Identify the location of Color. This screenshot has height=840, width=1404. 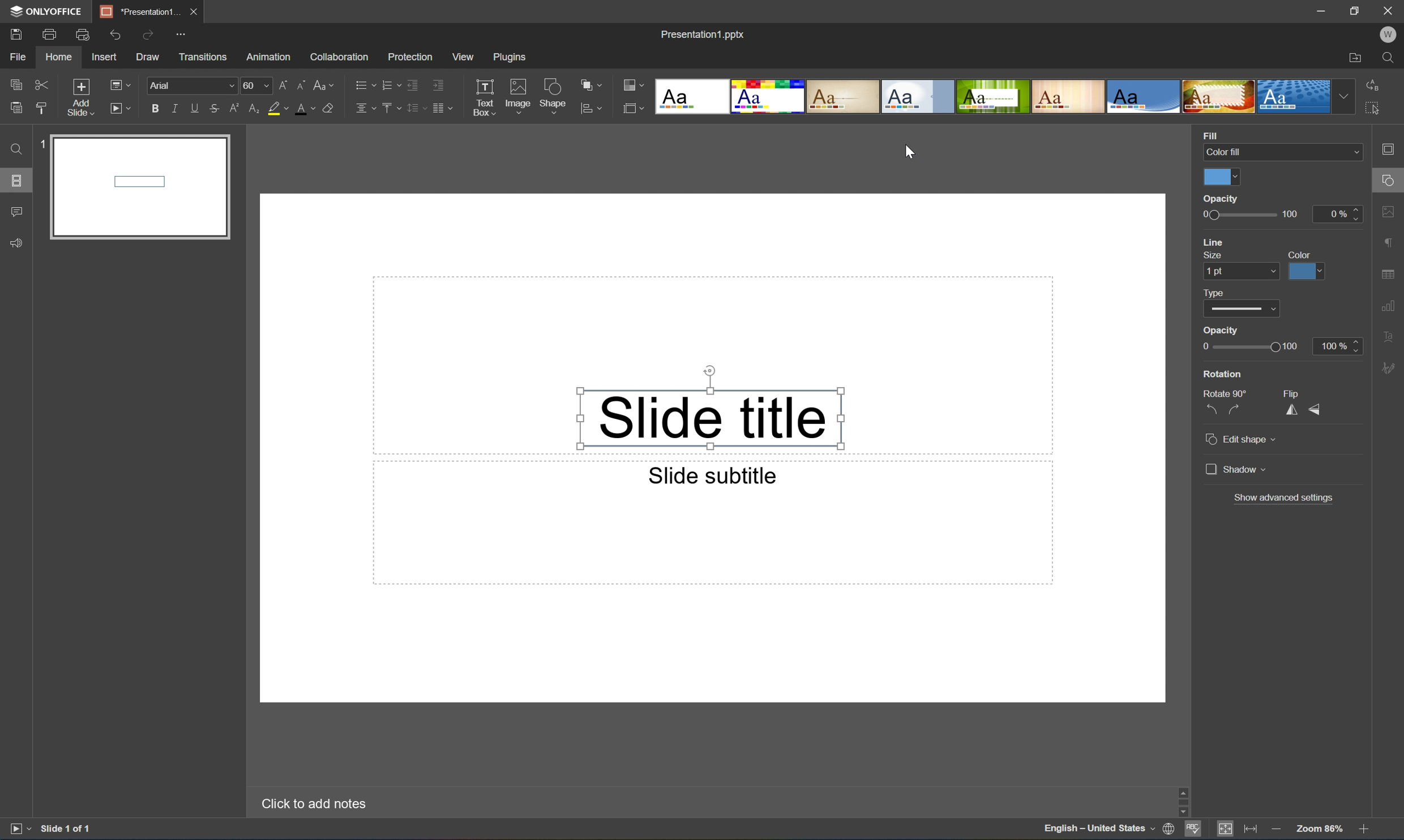
(1300, 254).